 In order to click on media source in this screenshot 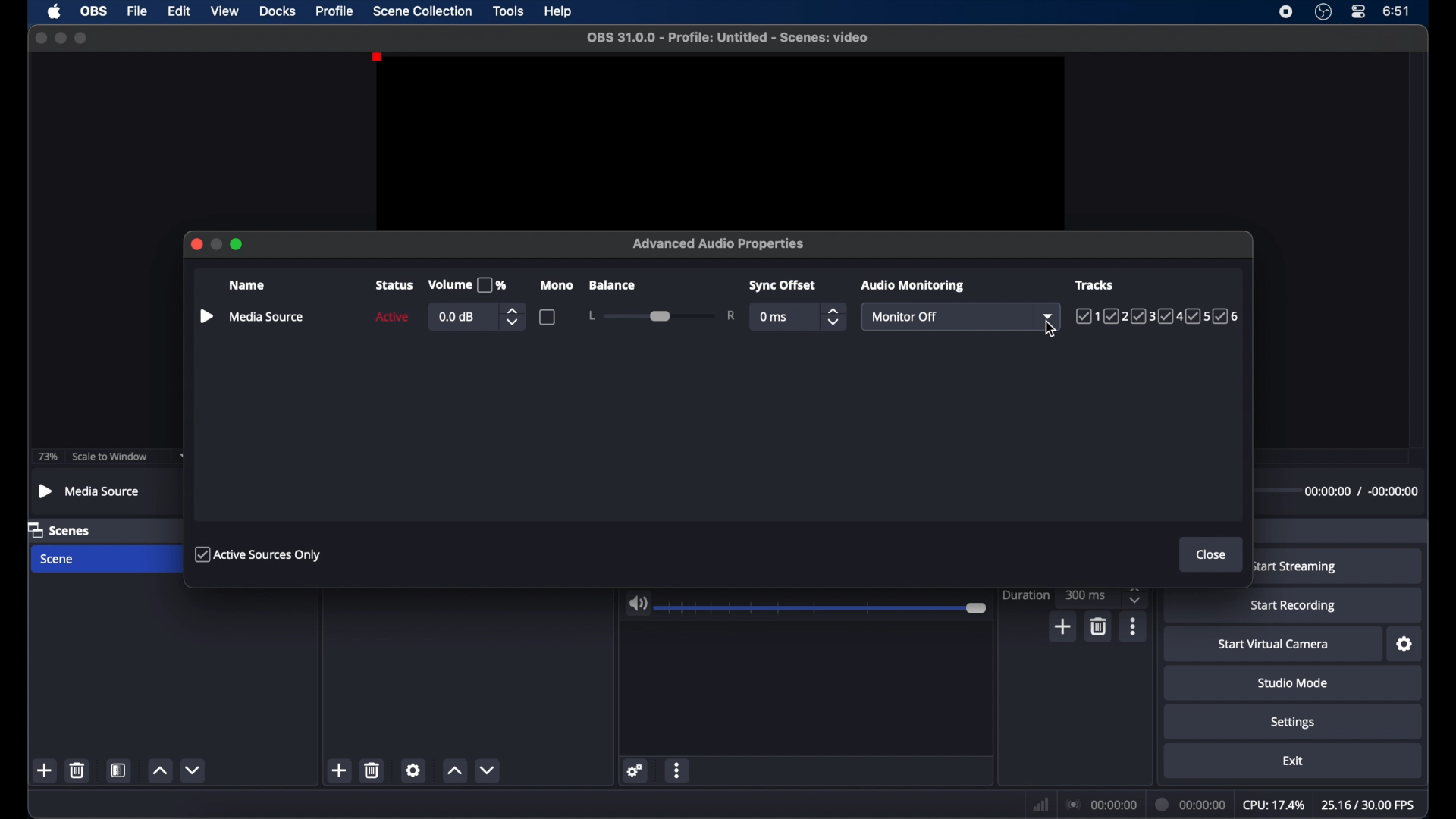, I will do `click(89, 491)`.